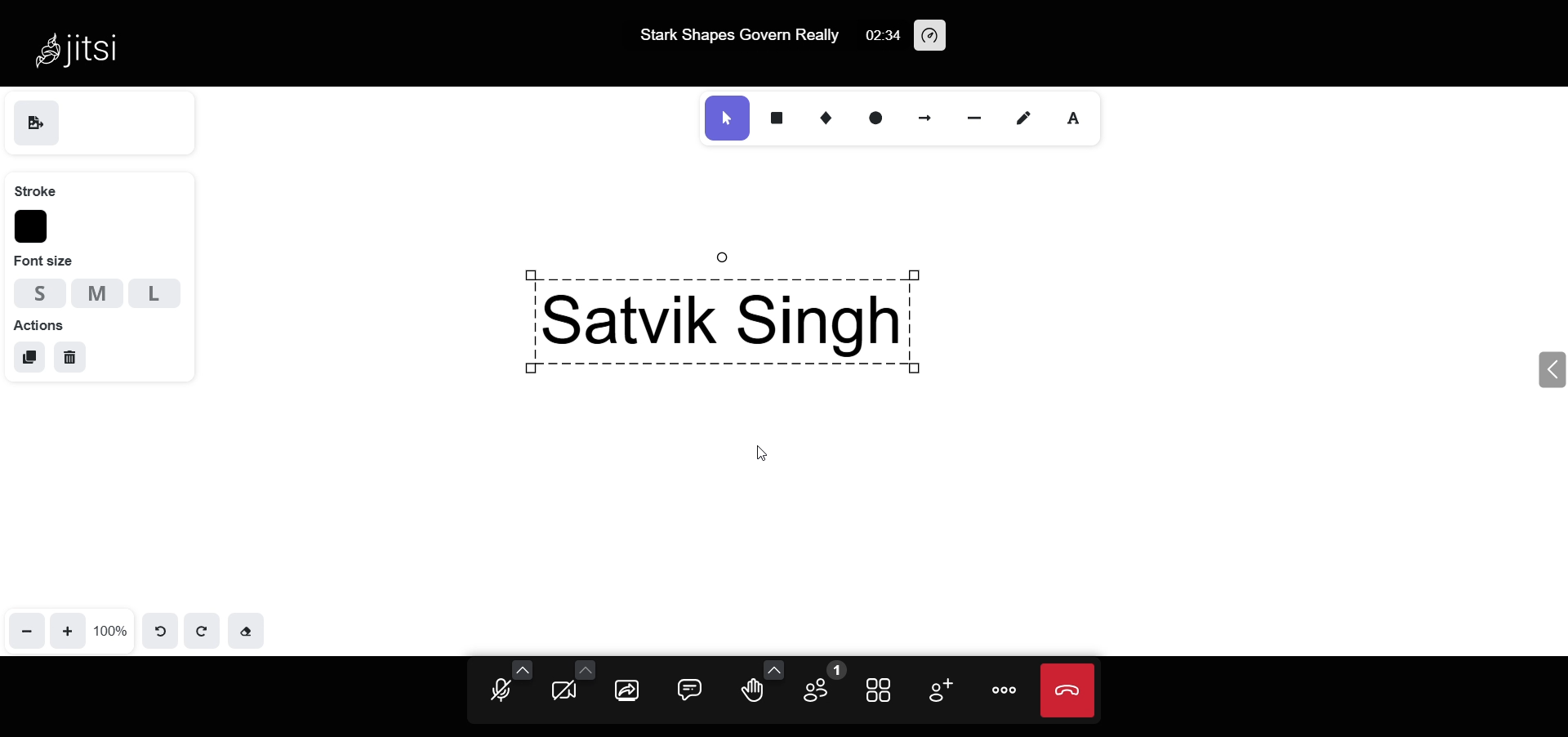 The width and height of the screenshot is (1568, 737). Describe the element at coordinates (751, 694) in the screenshot. I see `raise hand` at that location.